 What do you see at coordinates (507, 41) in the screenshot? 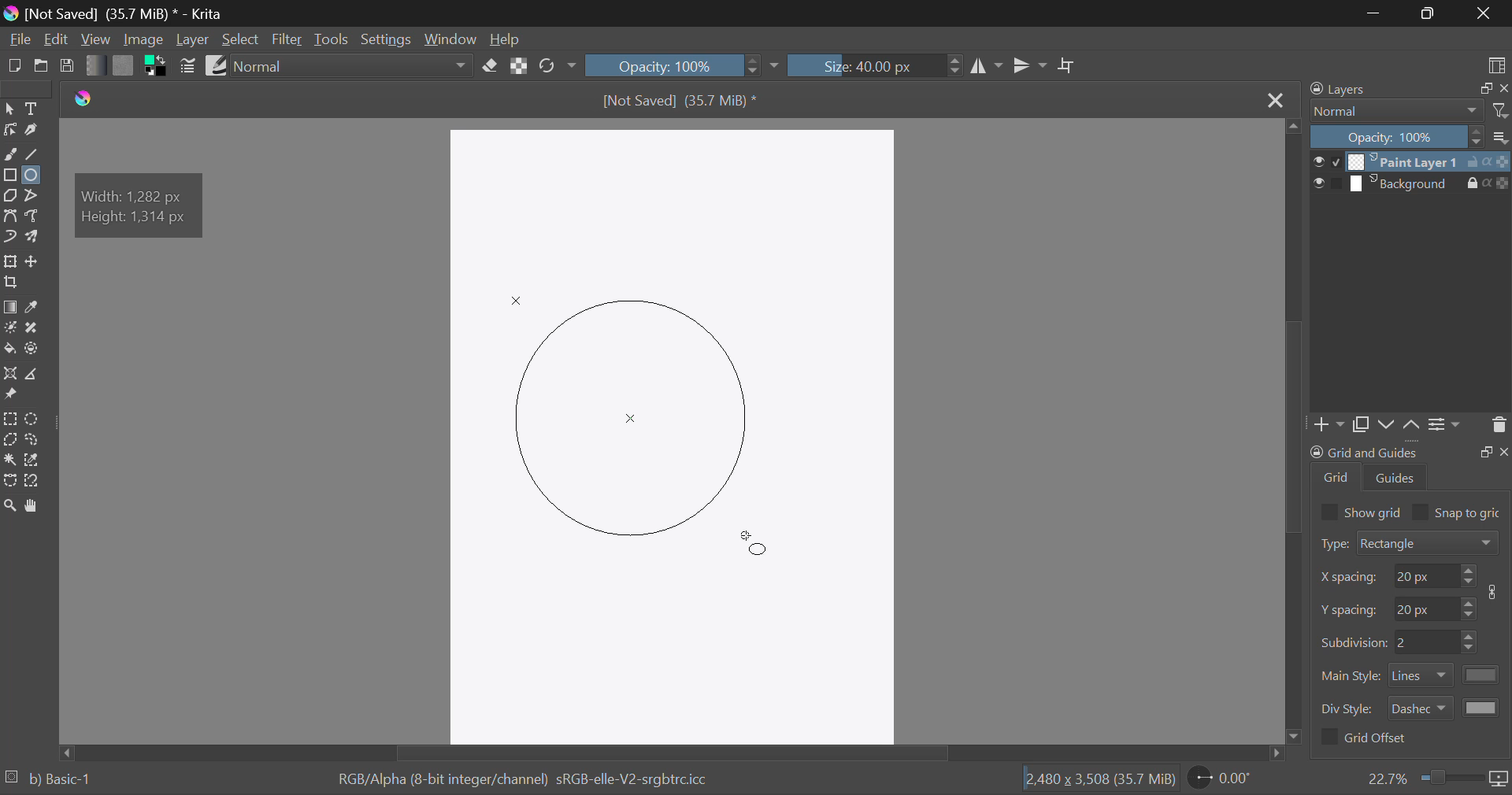
I see `Help` at bounding box center [507, 41].